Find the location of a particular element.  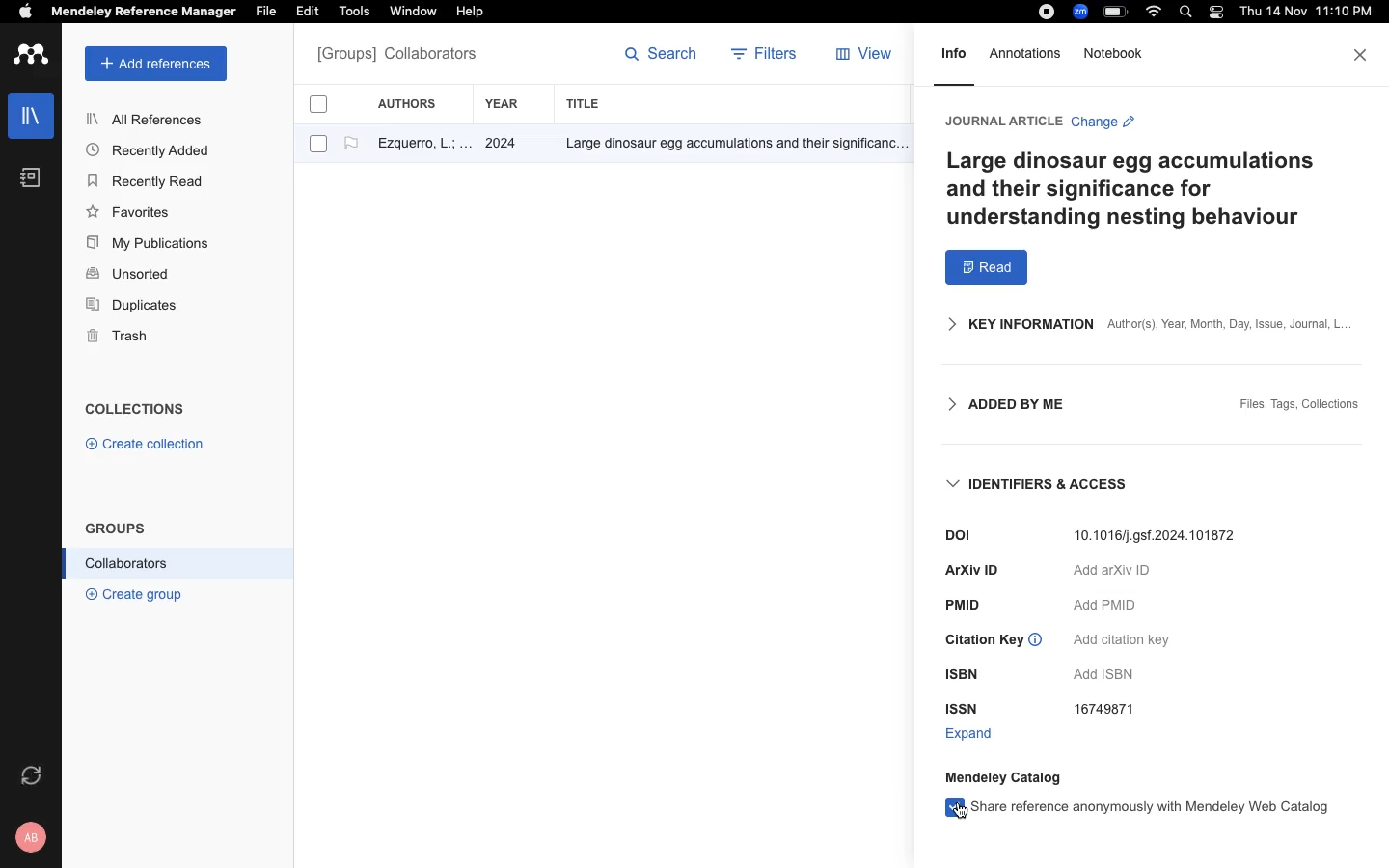

Add arXiv ID is located at coordinates (1111, 574).